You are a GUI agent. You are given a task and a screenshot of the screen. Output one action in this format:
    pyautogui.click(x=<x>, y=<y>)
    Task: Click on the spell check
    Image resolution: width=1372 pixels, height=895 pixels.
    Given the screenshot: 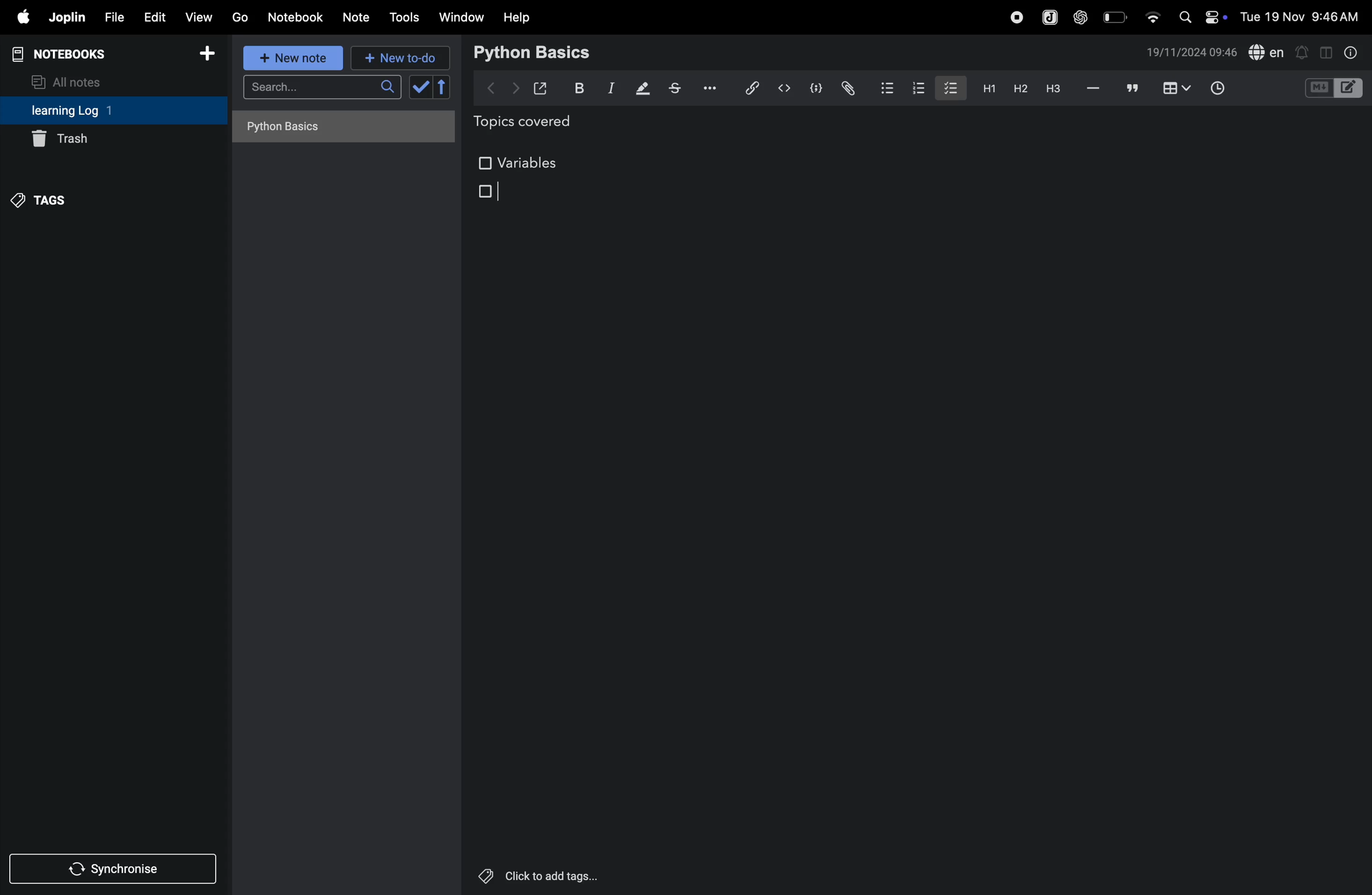 What is the action you would take?
    pyautogui.click(x=1267, y=53)
    